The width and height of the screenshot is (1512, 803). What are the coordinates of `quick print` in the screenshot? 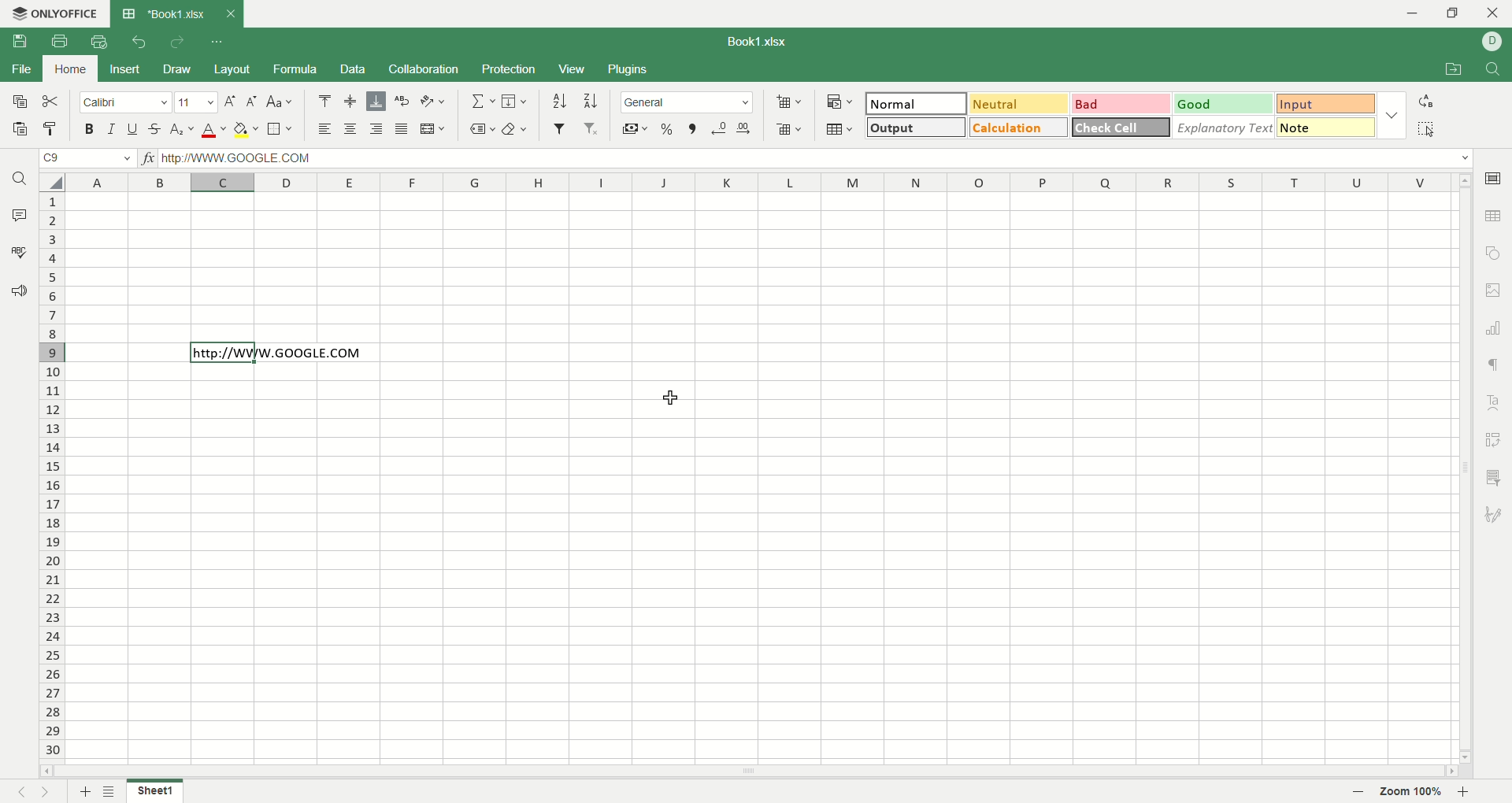 It's located at (102, 40).